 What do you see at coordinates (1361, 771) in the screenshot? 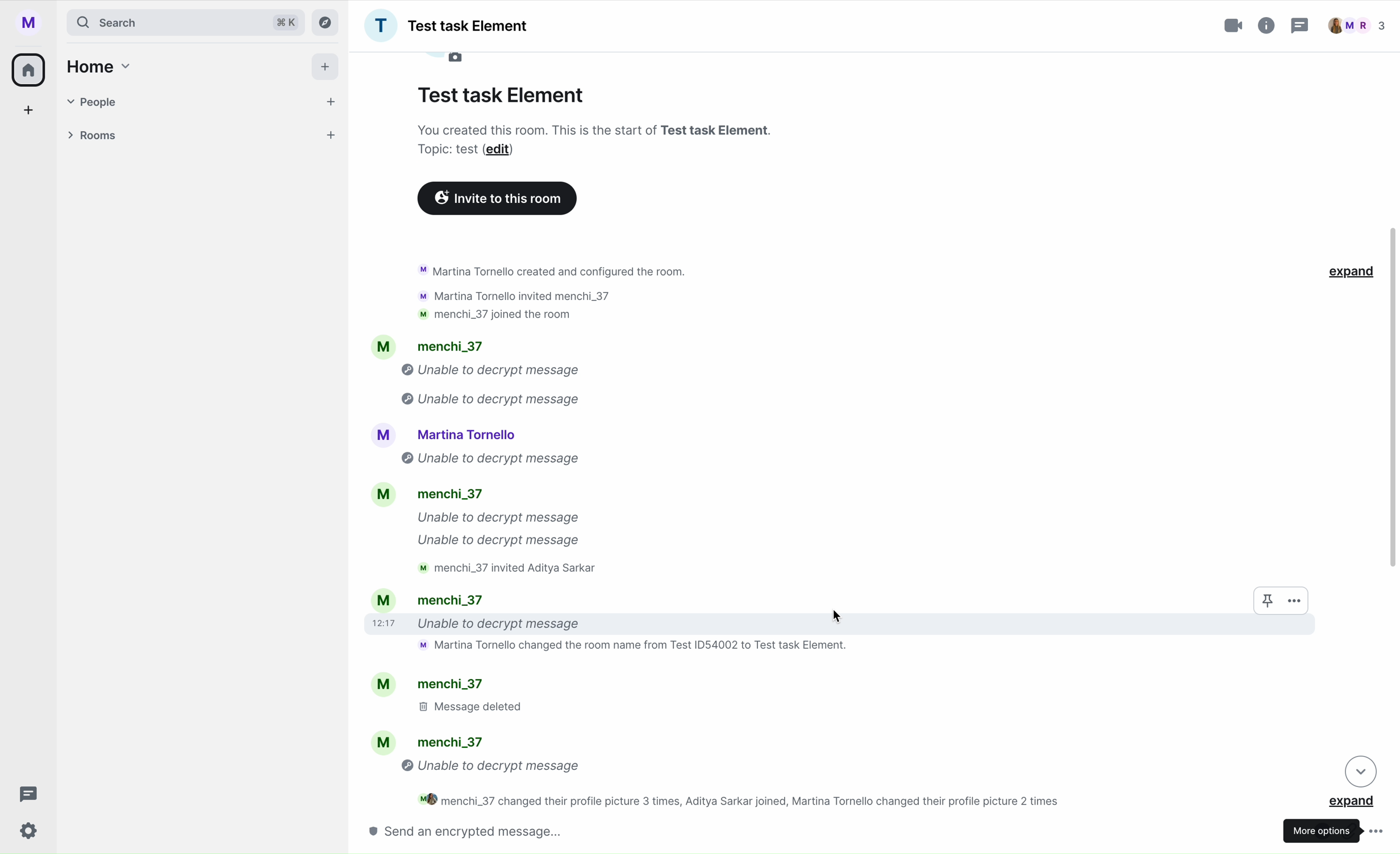
I see `dropdown` at bounding box center [1361, 771].